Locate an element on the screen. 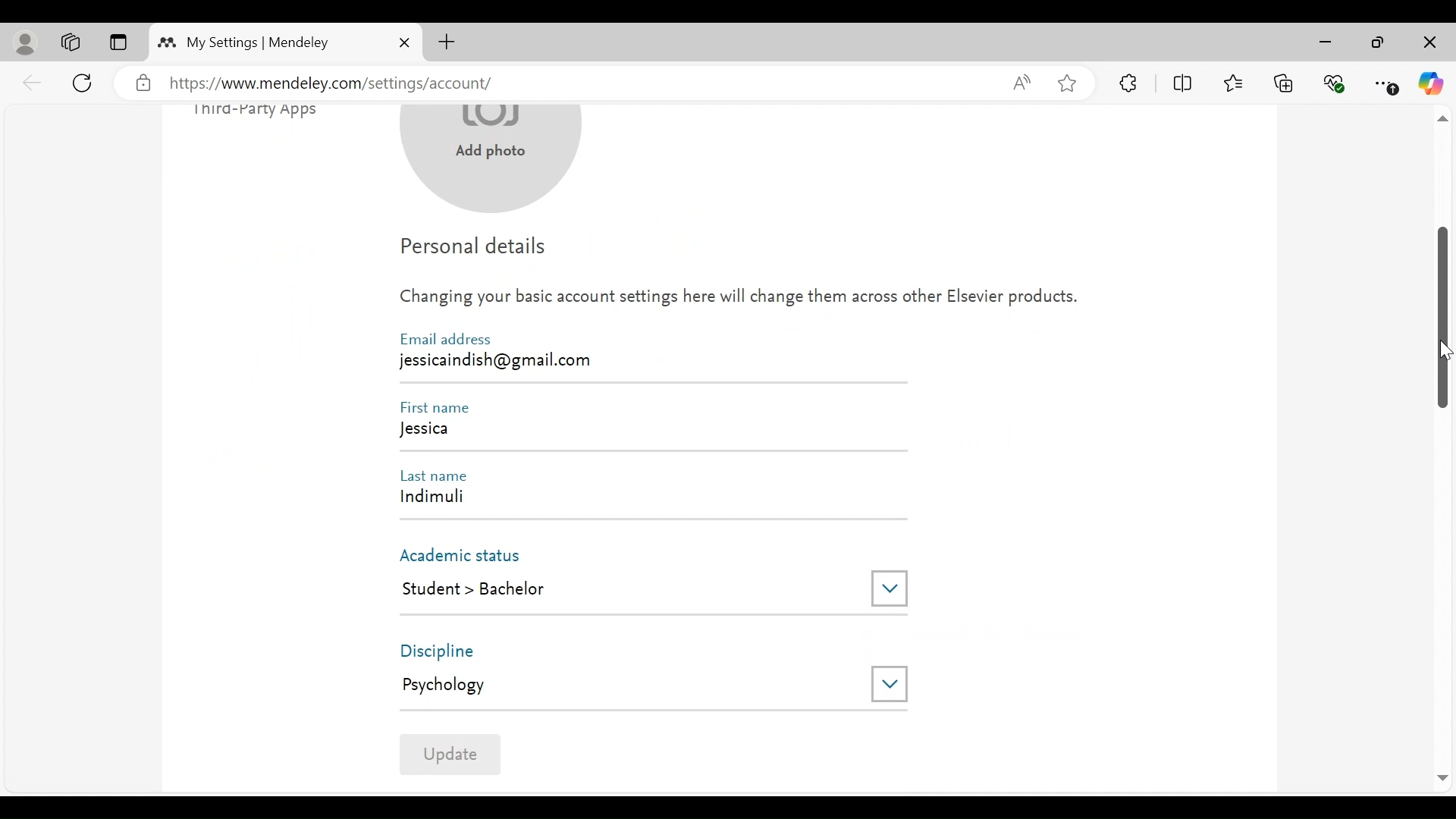  Browser Essentials is located at coordinates (1335, 82).